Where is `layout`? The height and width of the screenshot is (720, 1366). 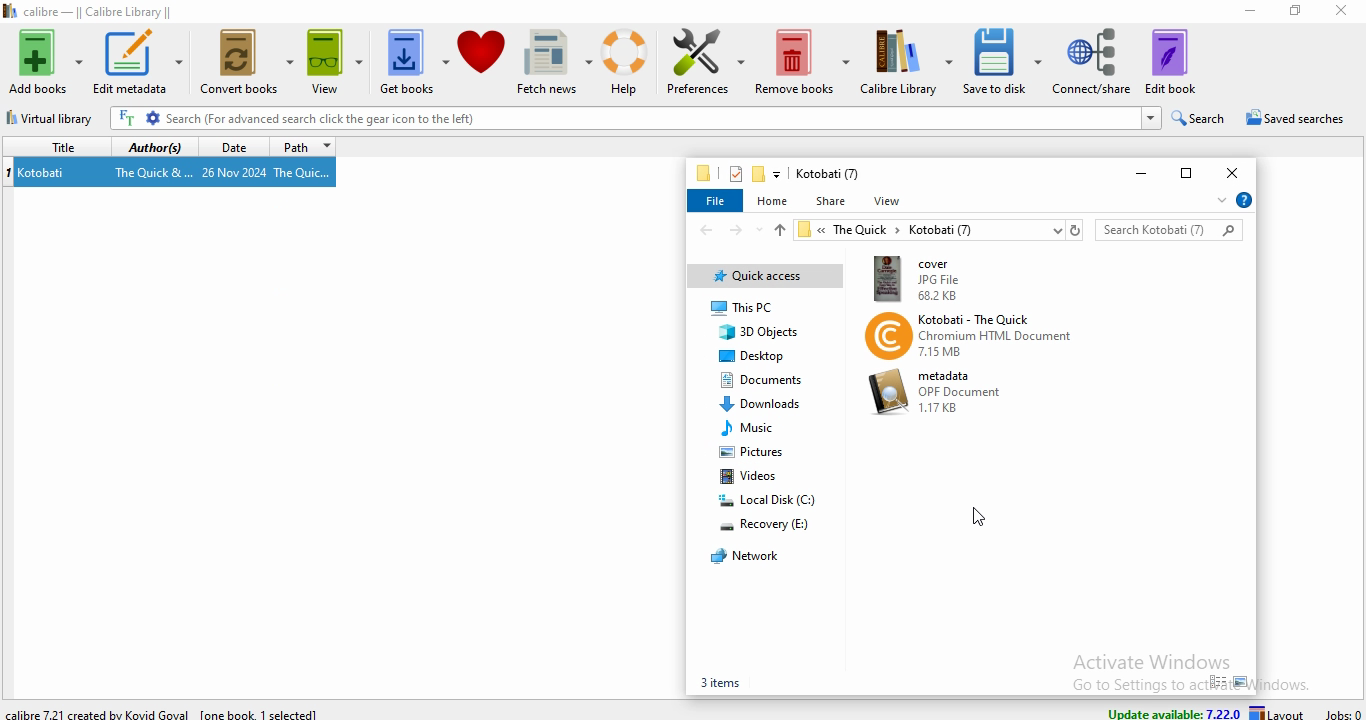
layout is located at coordinates (1281, 712).